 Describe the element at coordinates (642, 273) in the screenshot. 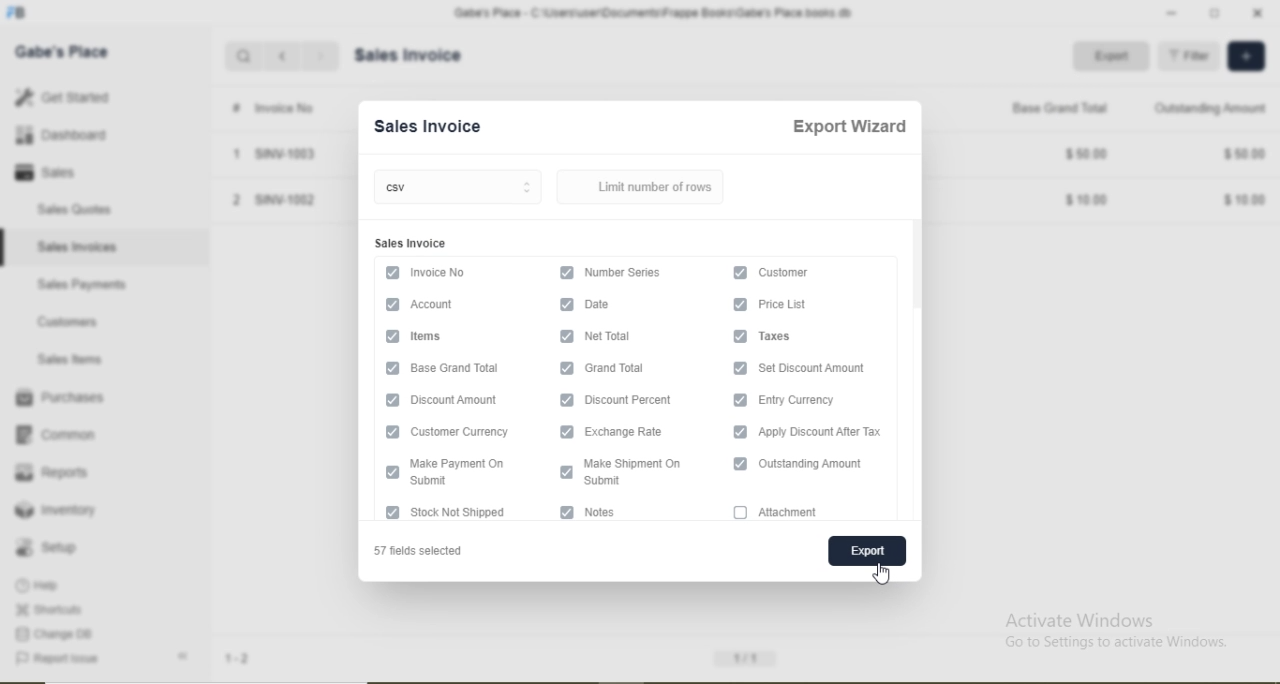

I see `Number Series` at that location.